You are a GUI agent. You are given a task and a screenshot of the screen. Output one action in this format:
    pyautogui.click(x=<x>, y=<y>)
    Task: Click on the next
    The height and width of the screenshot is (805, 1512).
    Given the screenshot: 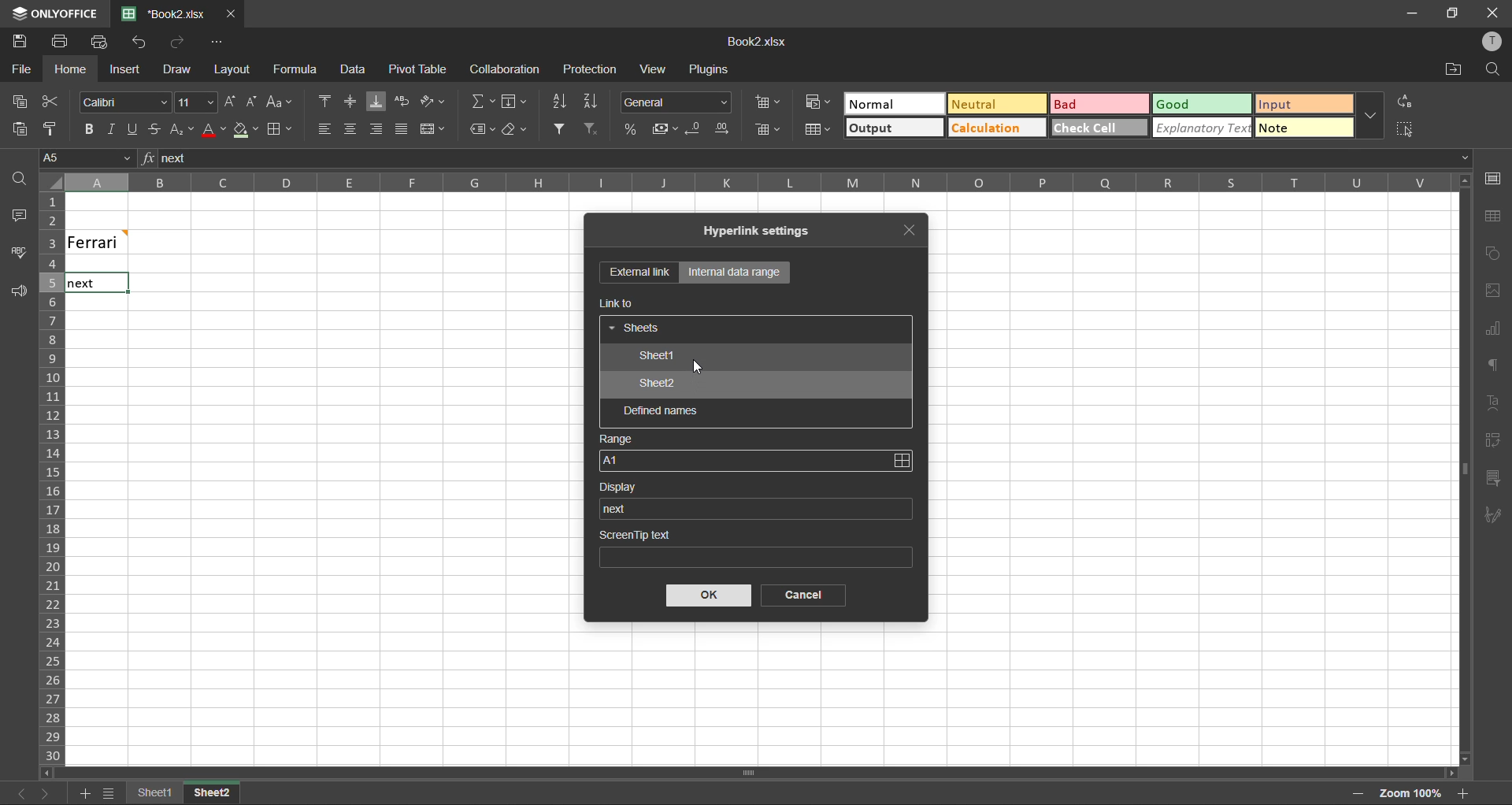 What is the action you would take?
    pyautogui.click(x=619, y=508)
    